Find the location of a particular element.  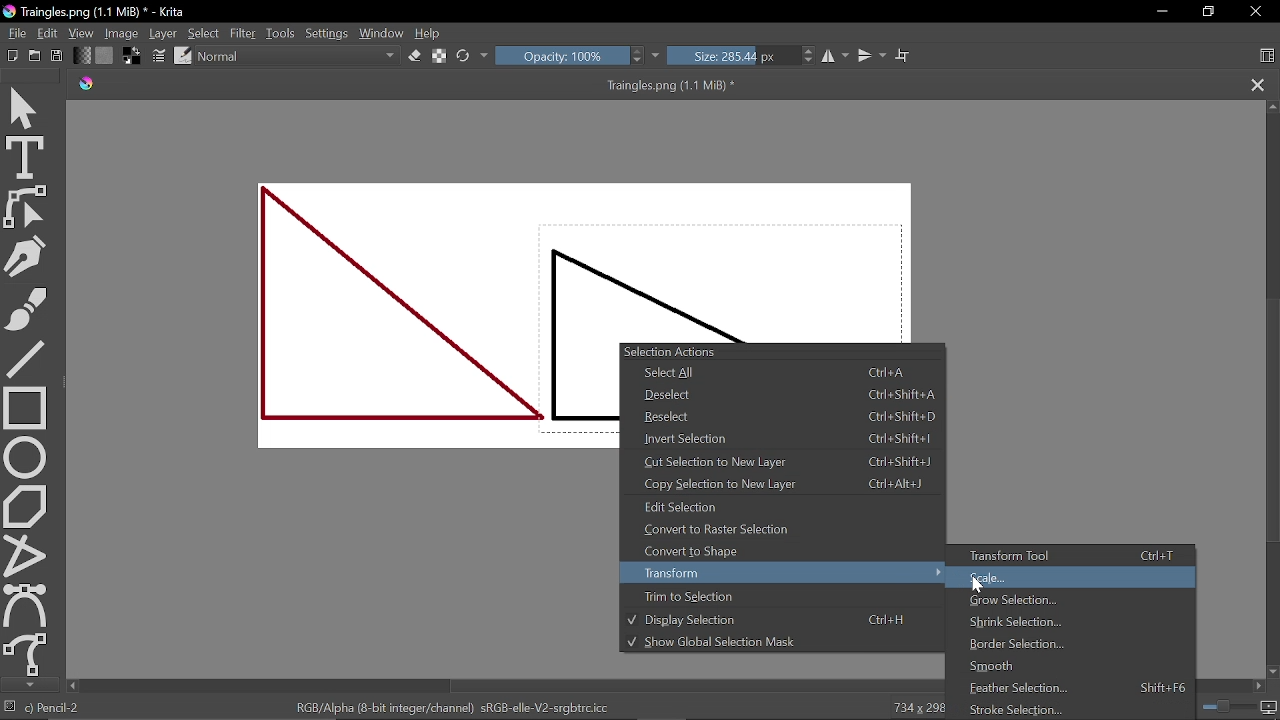

Filter is located at coordinates (243, 33).